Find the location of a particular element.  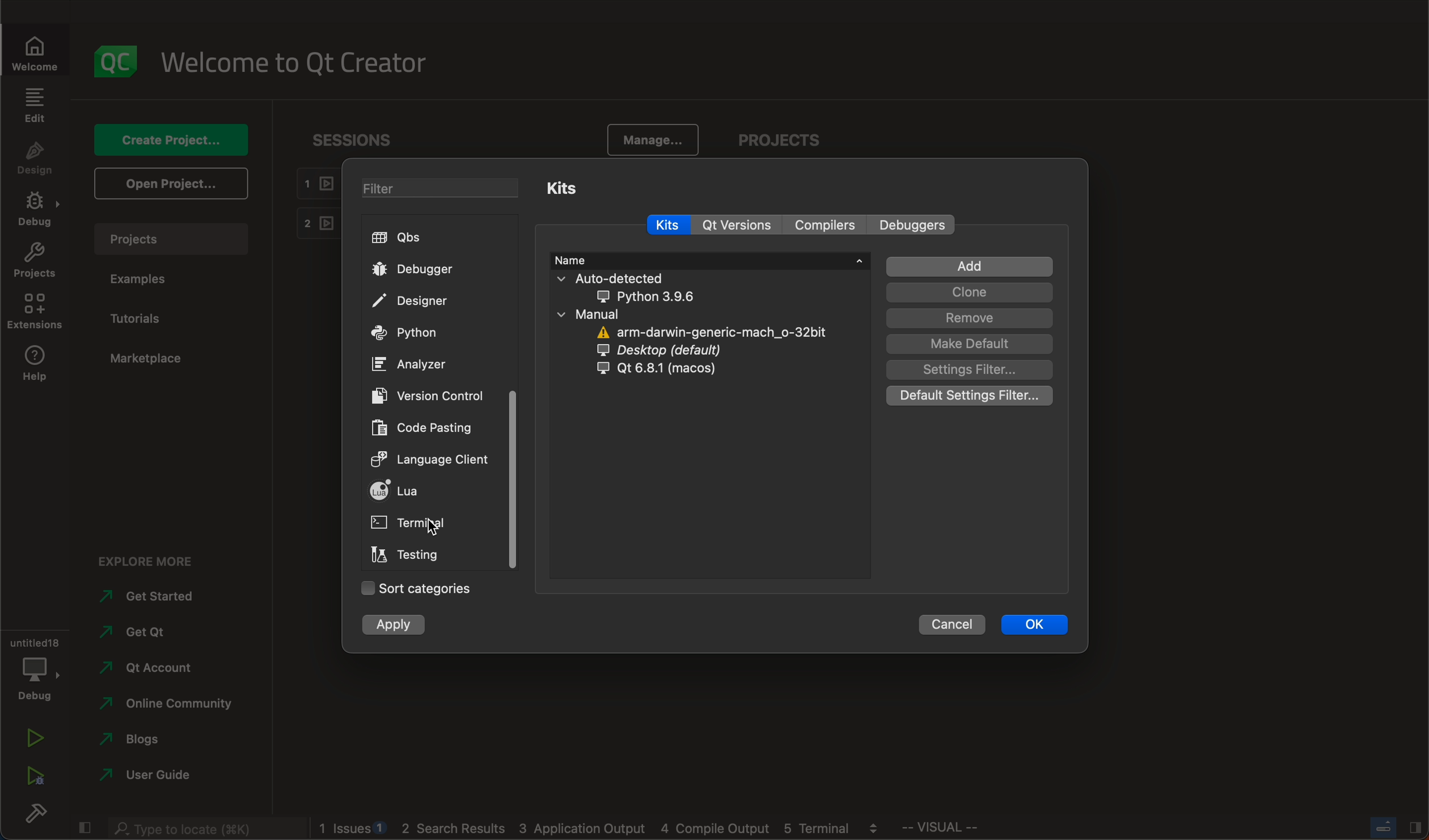

visual is located at coordinates (980, 830).